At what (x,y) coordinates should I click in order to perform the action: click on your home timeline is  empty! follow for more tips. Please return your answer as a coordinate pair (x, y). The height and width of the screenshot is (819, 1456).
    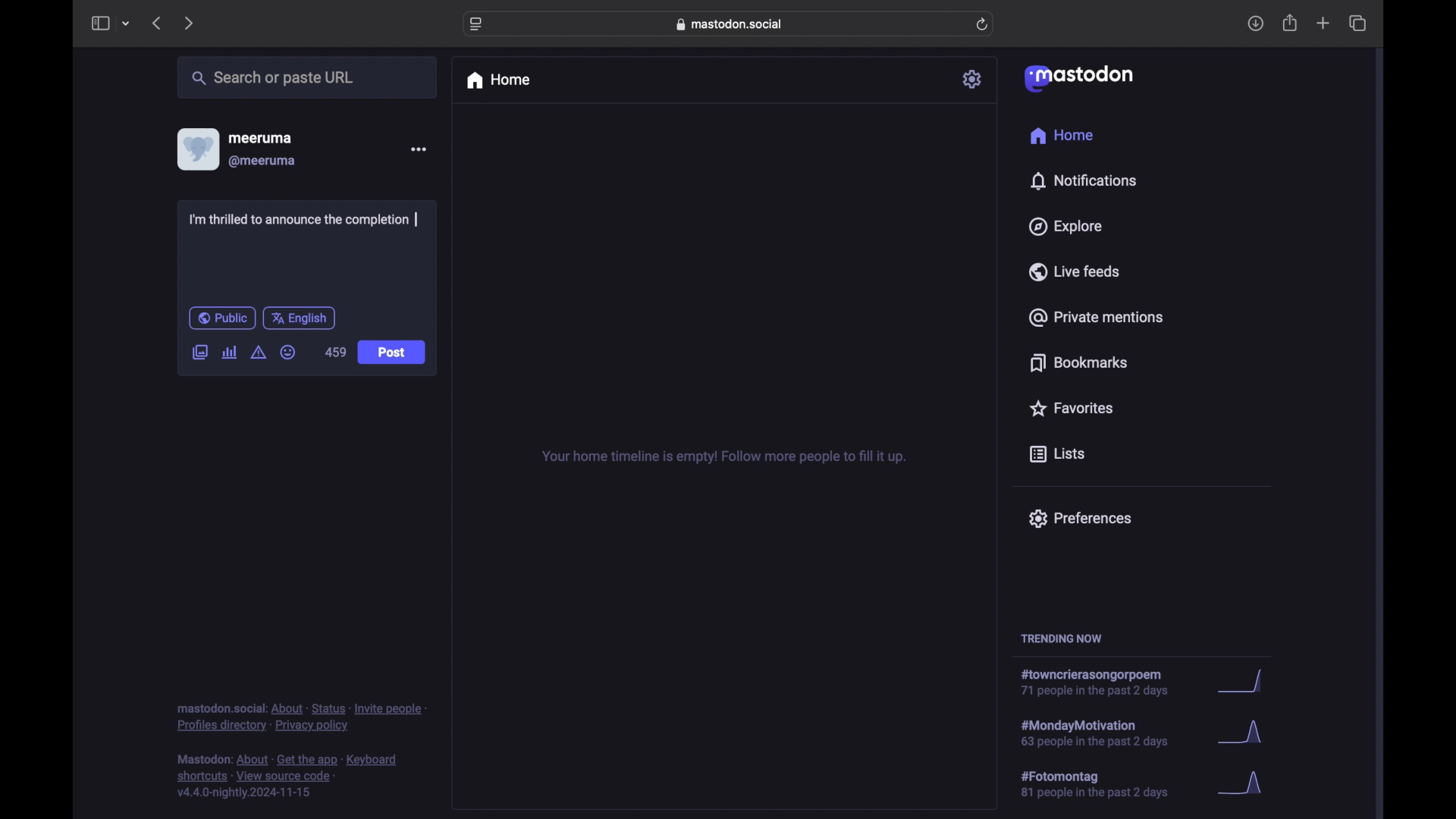
    Looking at the image, I should click on (722, 457).